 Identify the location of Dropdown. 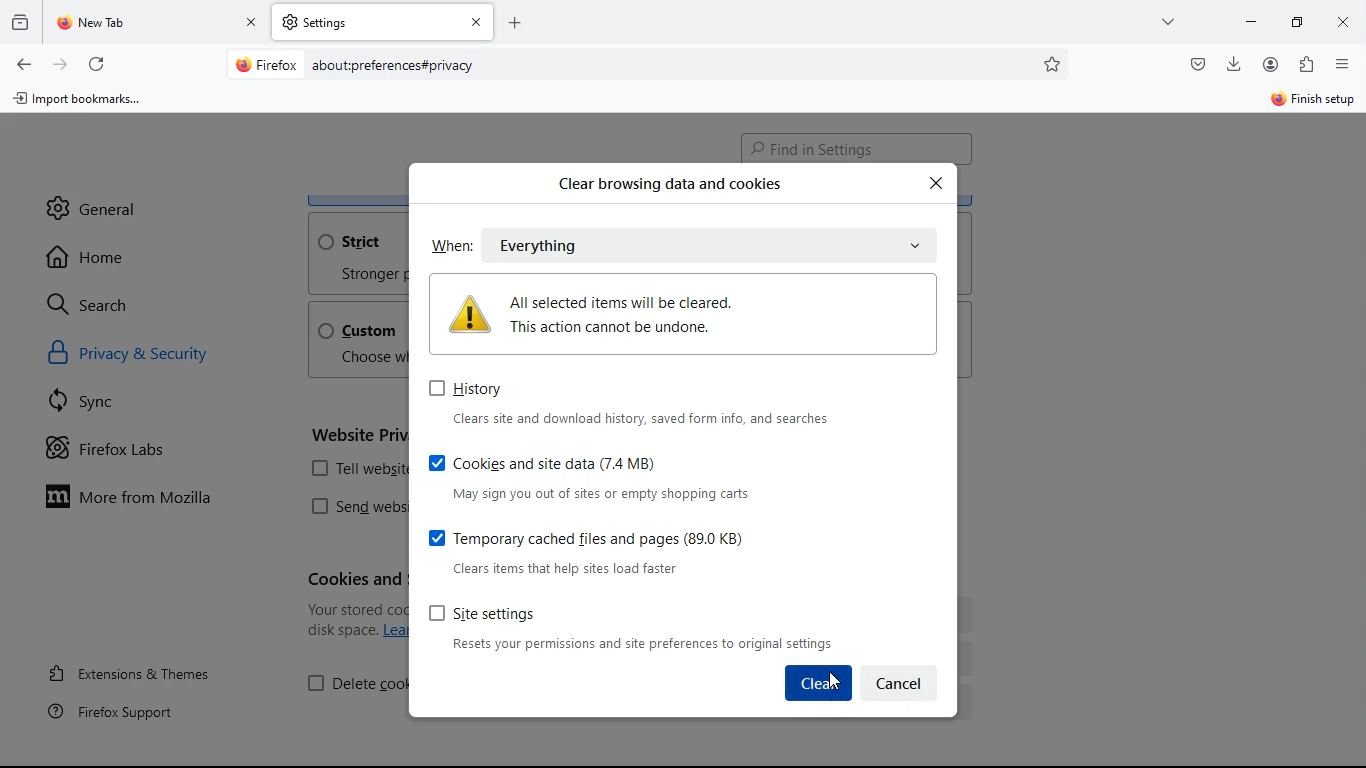
(916, 246).